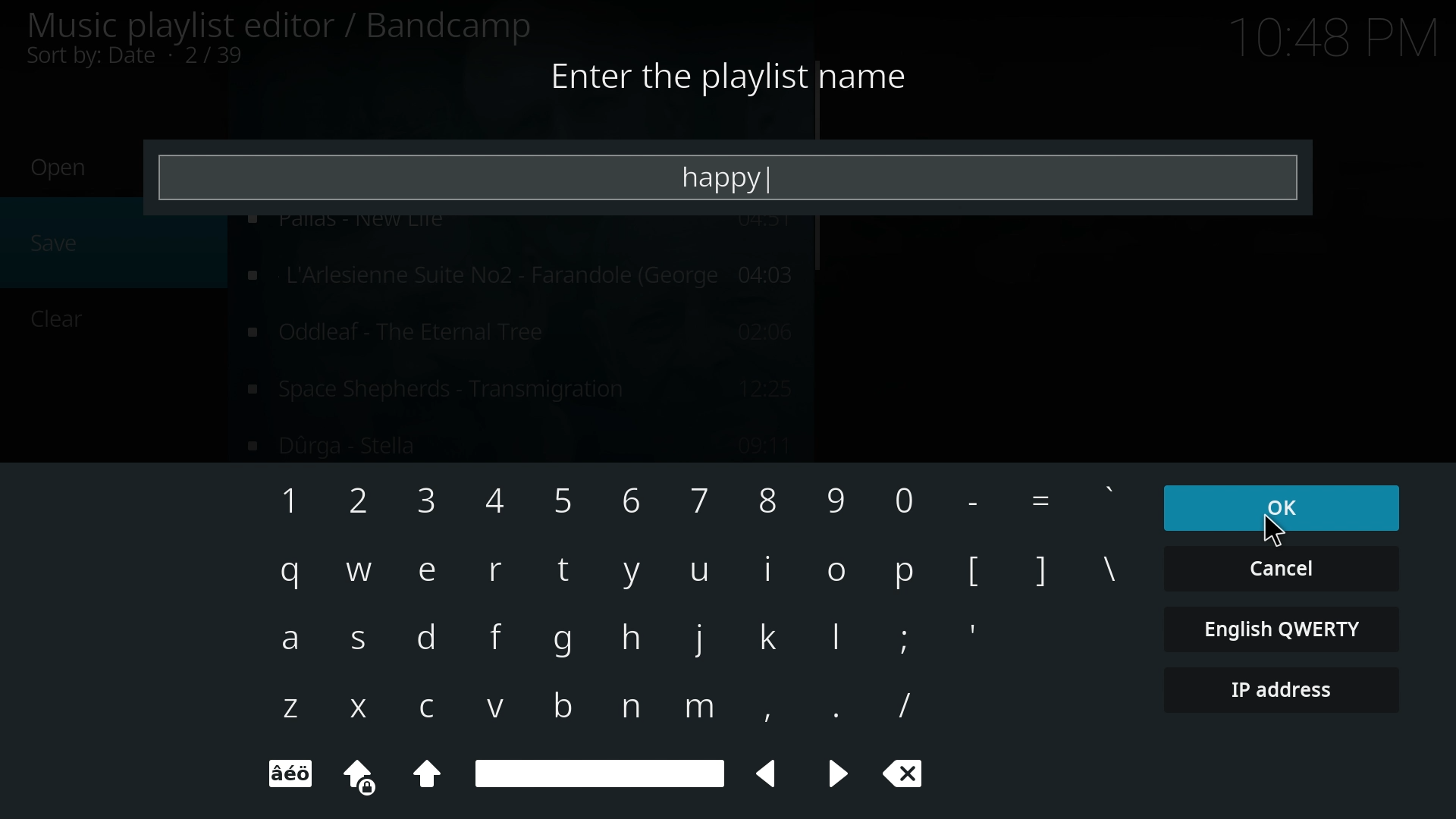 The width and height of the screenshot is (1456, 819). Describe the element at coordinates (71, 231) in the screenshot. I see `save` at that location.